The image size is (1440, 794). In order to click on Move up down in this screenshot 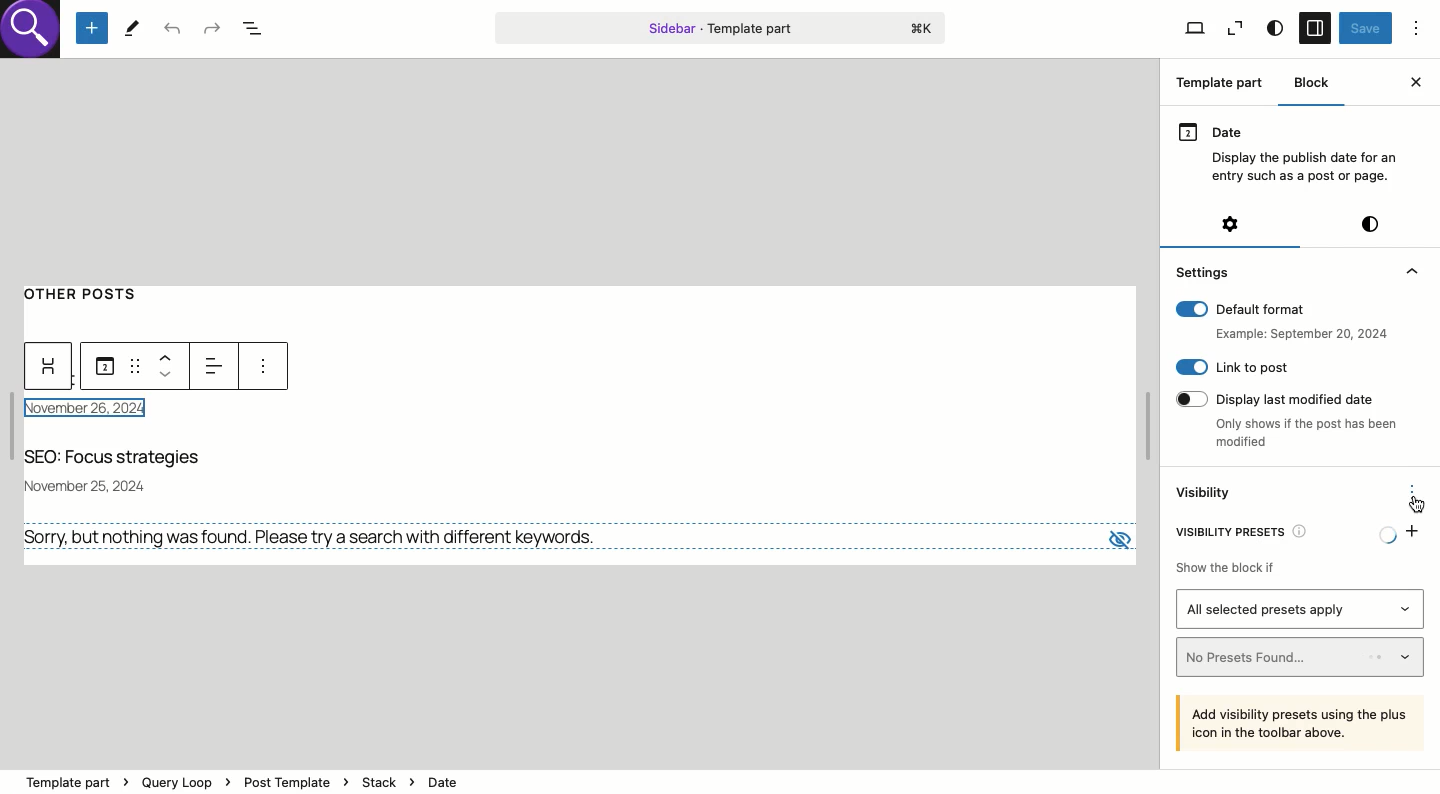, I will do `click(170, 365)`.